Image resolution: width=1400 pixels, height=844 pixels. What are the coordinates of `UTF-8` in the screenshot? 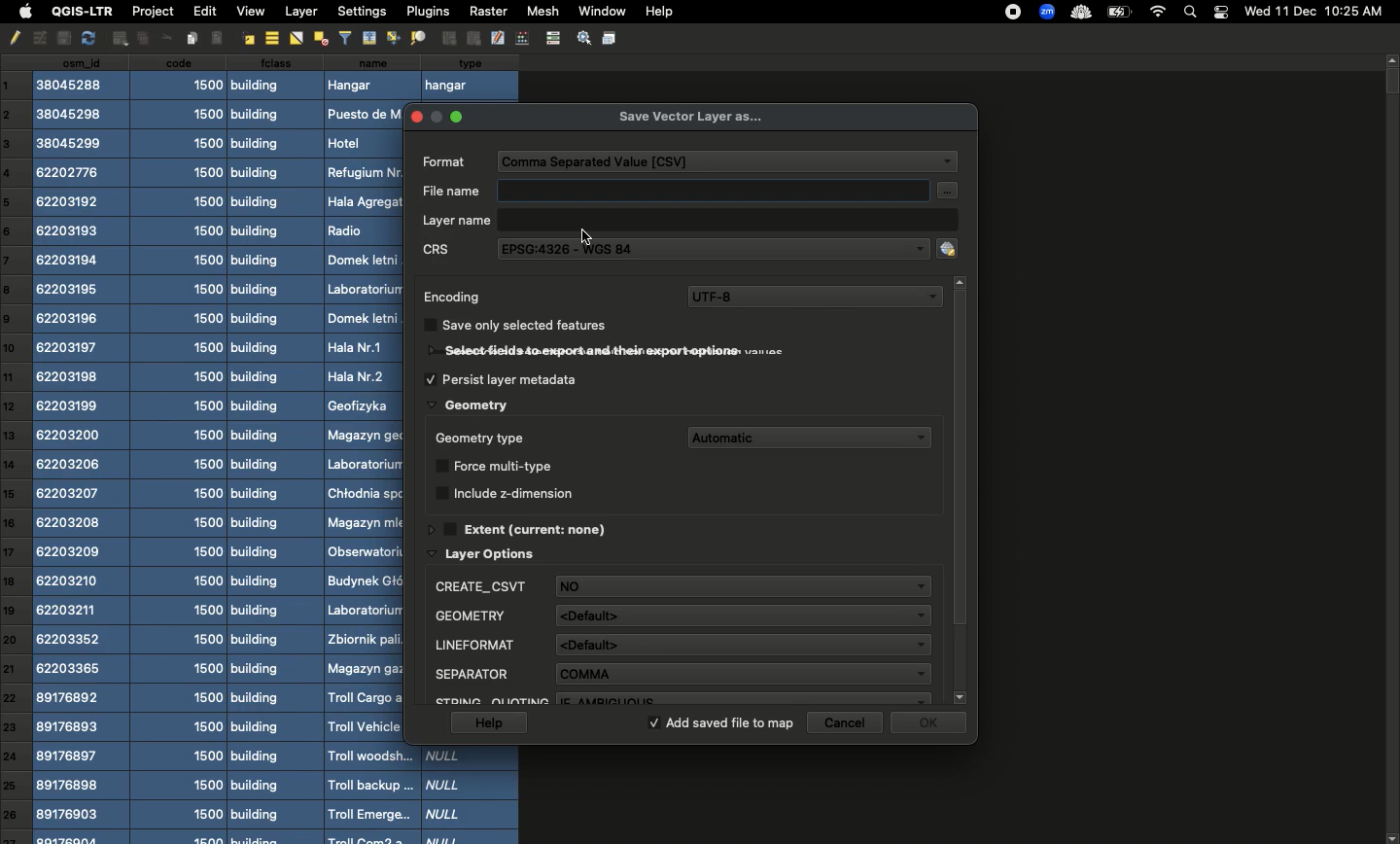 It's located at (815, 298).